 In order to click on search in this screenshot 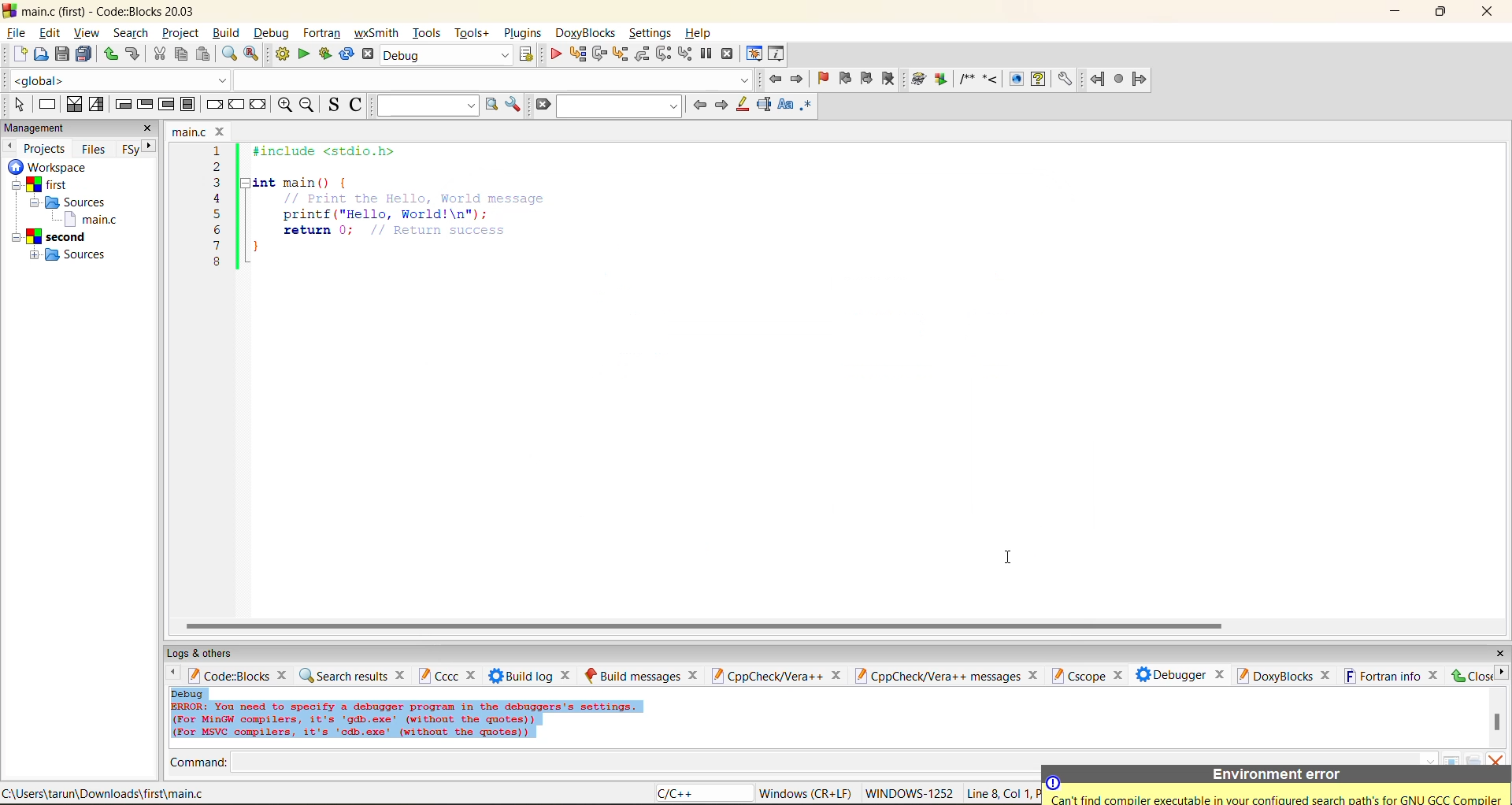, I will do `click(131, 32)`.